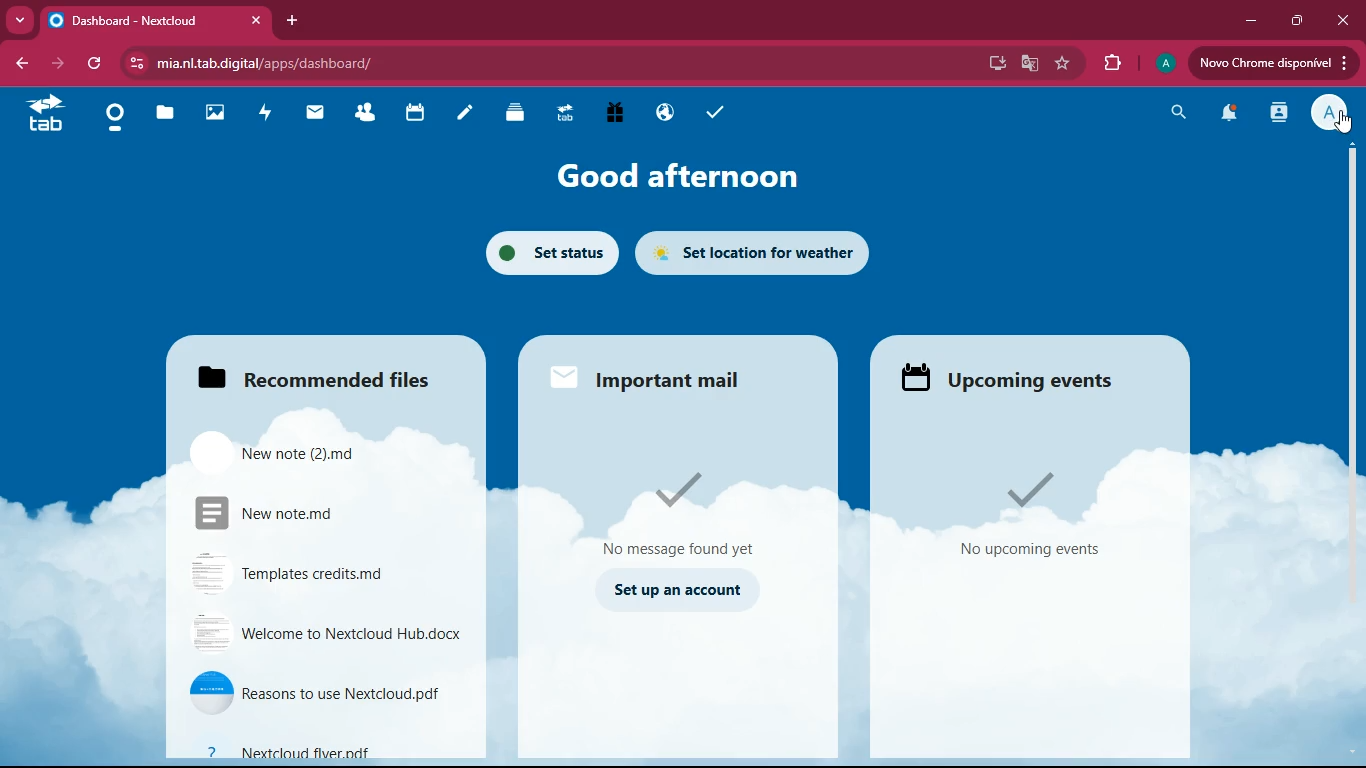 Image resolution: width=1366 pixels, height=768 pixels. Describe the element at coordinates (464, 115) in the screenshot. I see `notes` at that location.